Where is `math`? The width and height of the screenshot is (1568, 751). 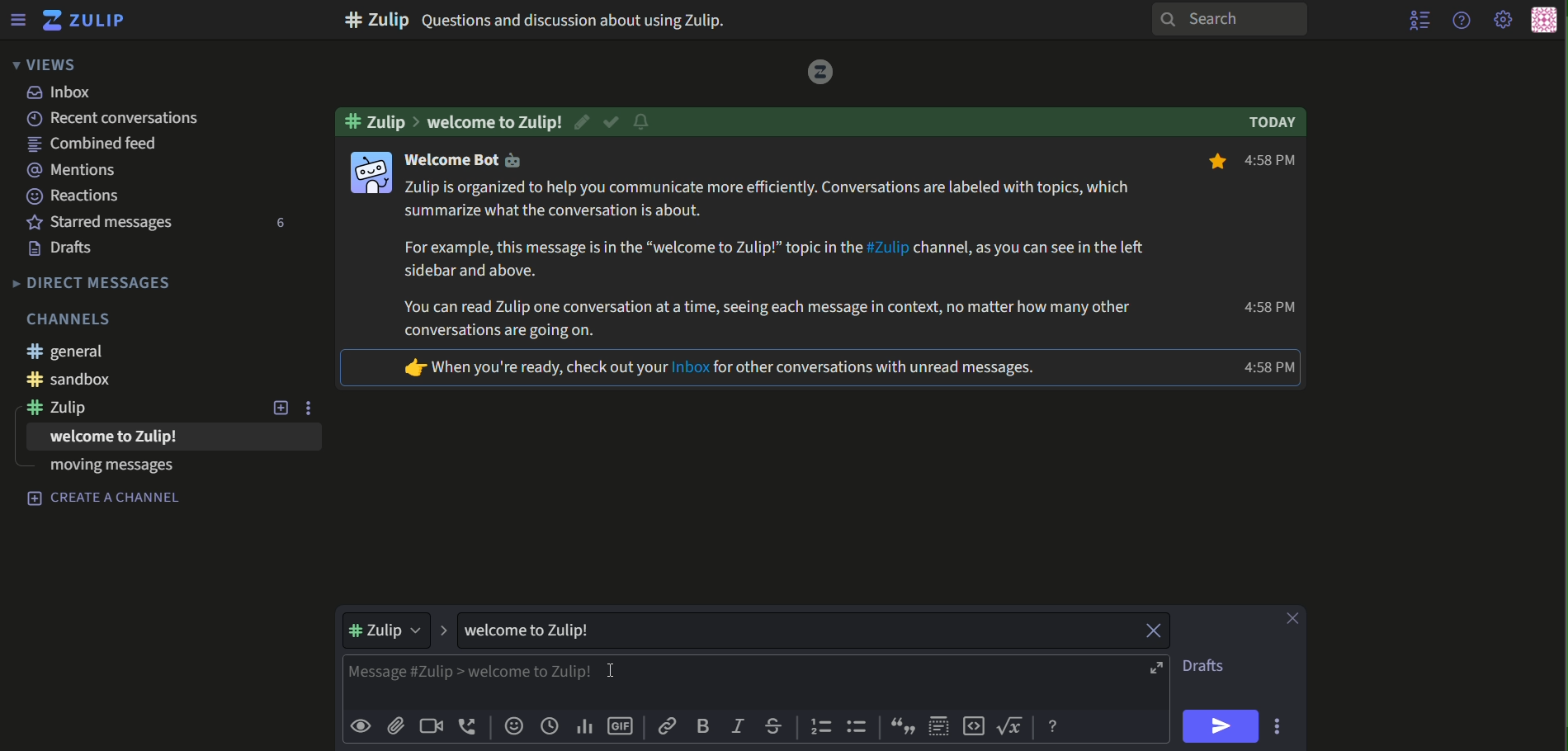 math is located at coordinates (1013, 727).